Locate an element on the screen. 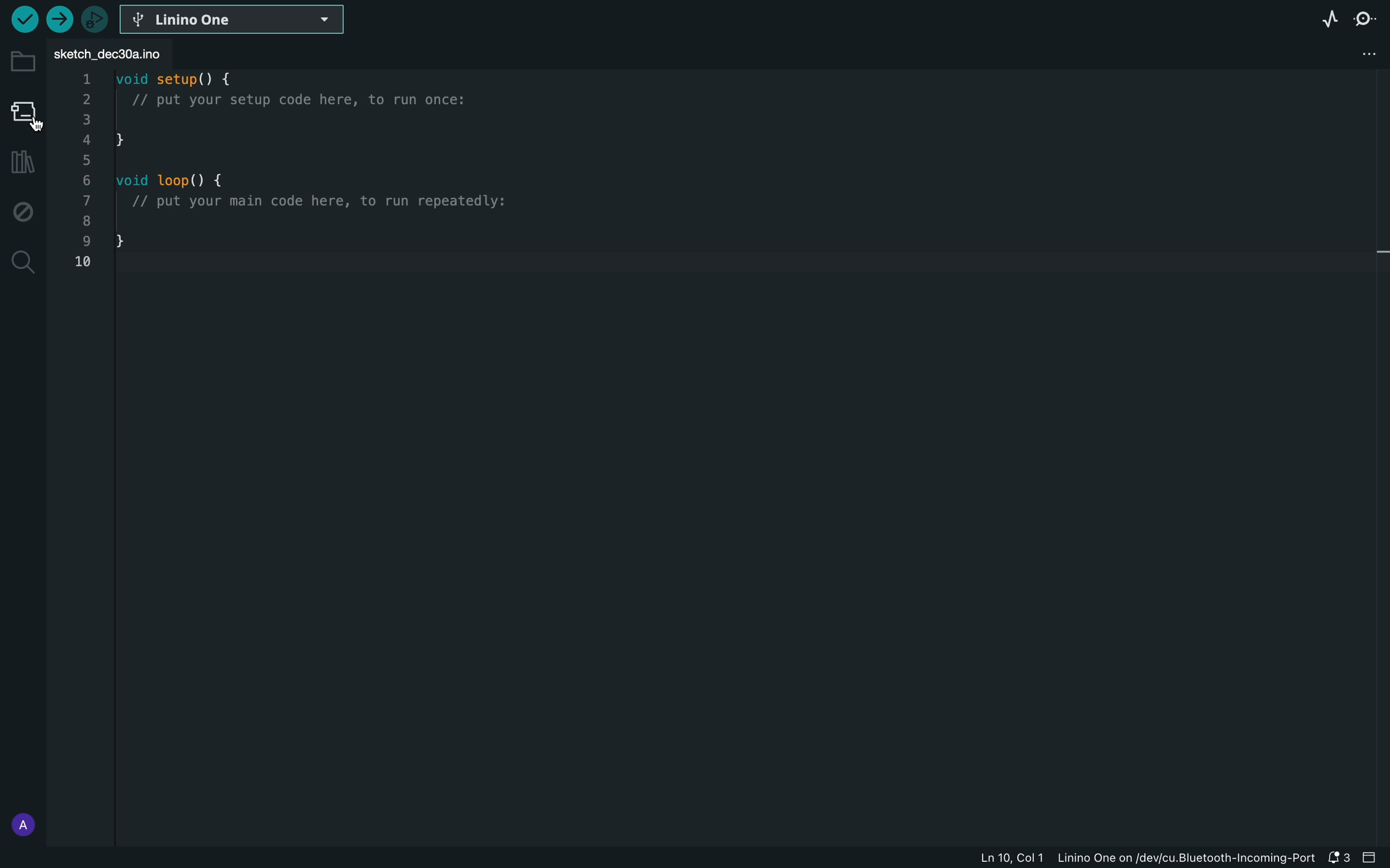 The image size is (1390, 868). folder is located at coordinates (22, 59).